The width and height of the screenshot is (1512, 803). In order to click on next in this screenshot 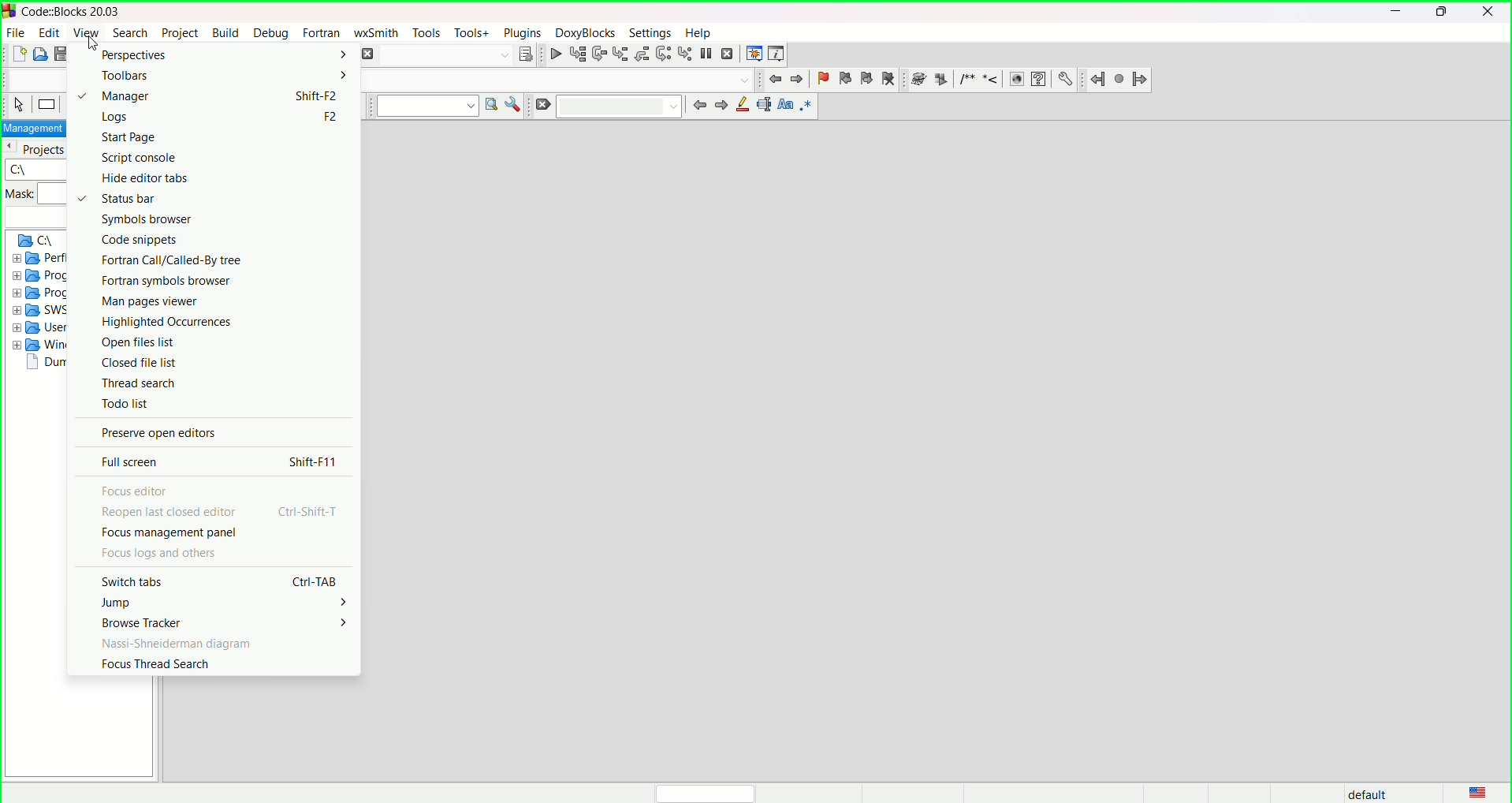, I will do `click(721, 106)`.